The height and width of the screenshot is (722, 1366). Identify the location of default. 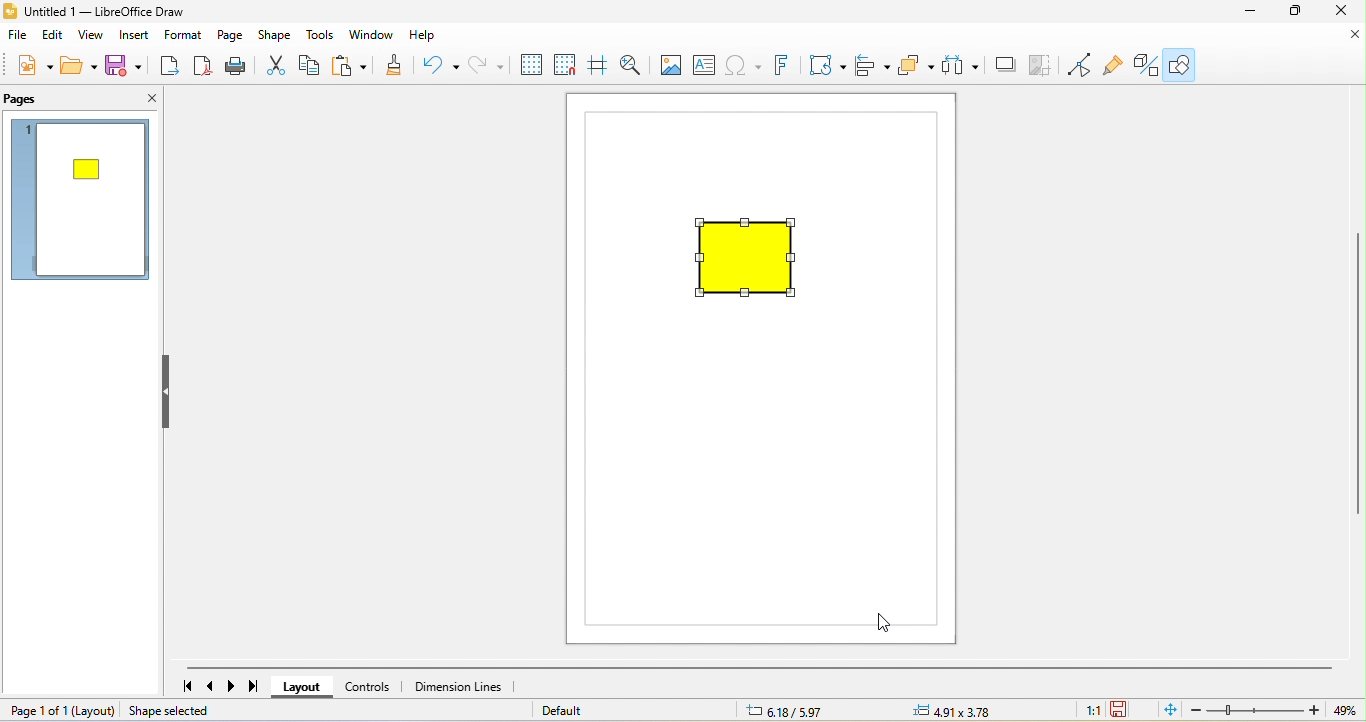
(572, 711).